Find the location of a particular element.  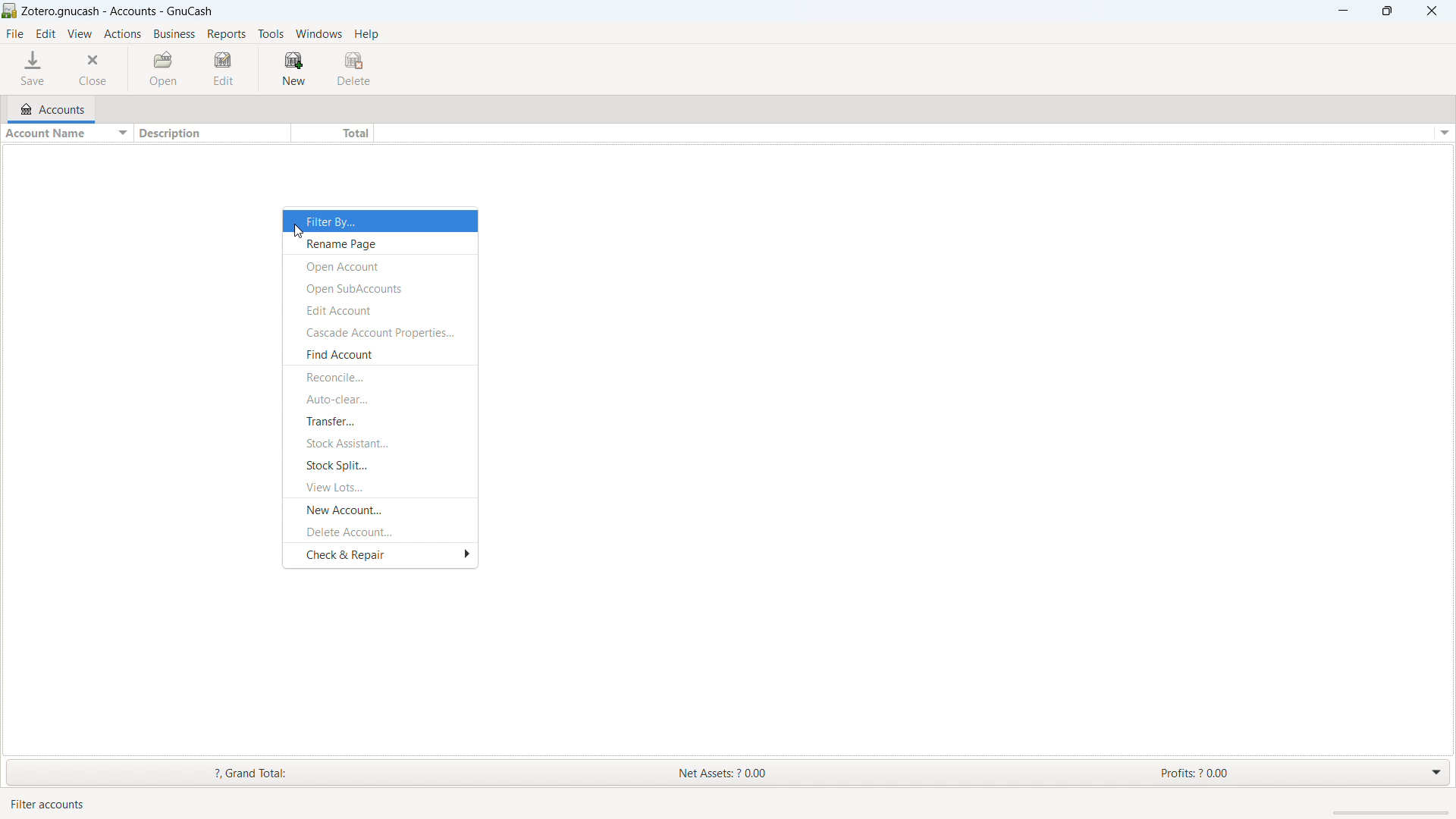

close is located at coordinates (1432, 11).